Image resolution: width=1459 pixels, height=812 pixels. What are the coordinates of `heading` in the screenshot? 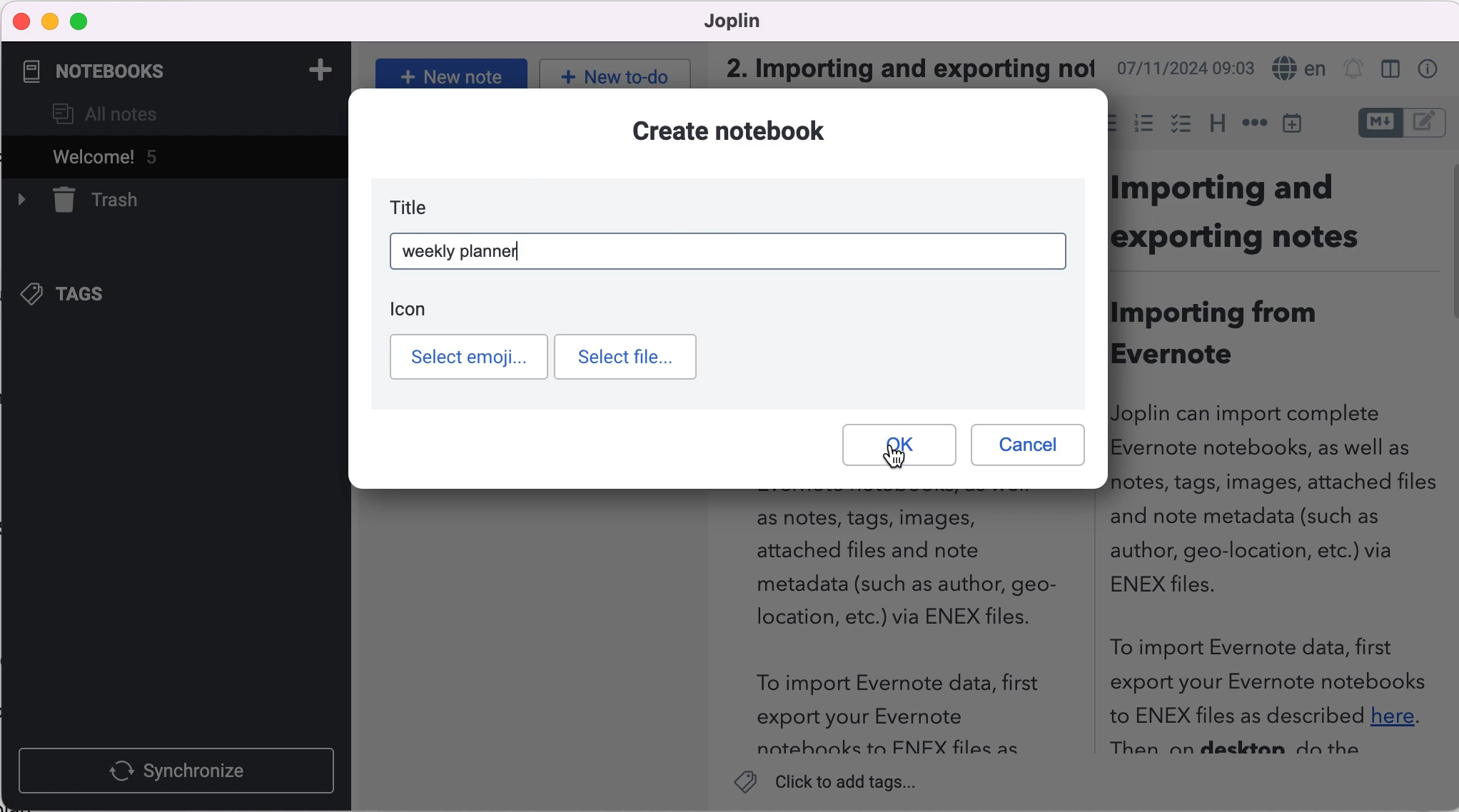 It's located at (1216, 121).